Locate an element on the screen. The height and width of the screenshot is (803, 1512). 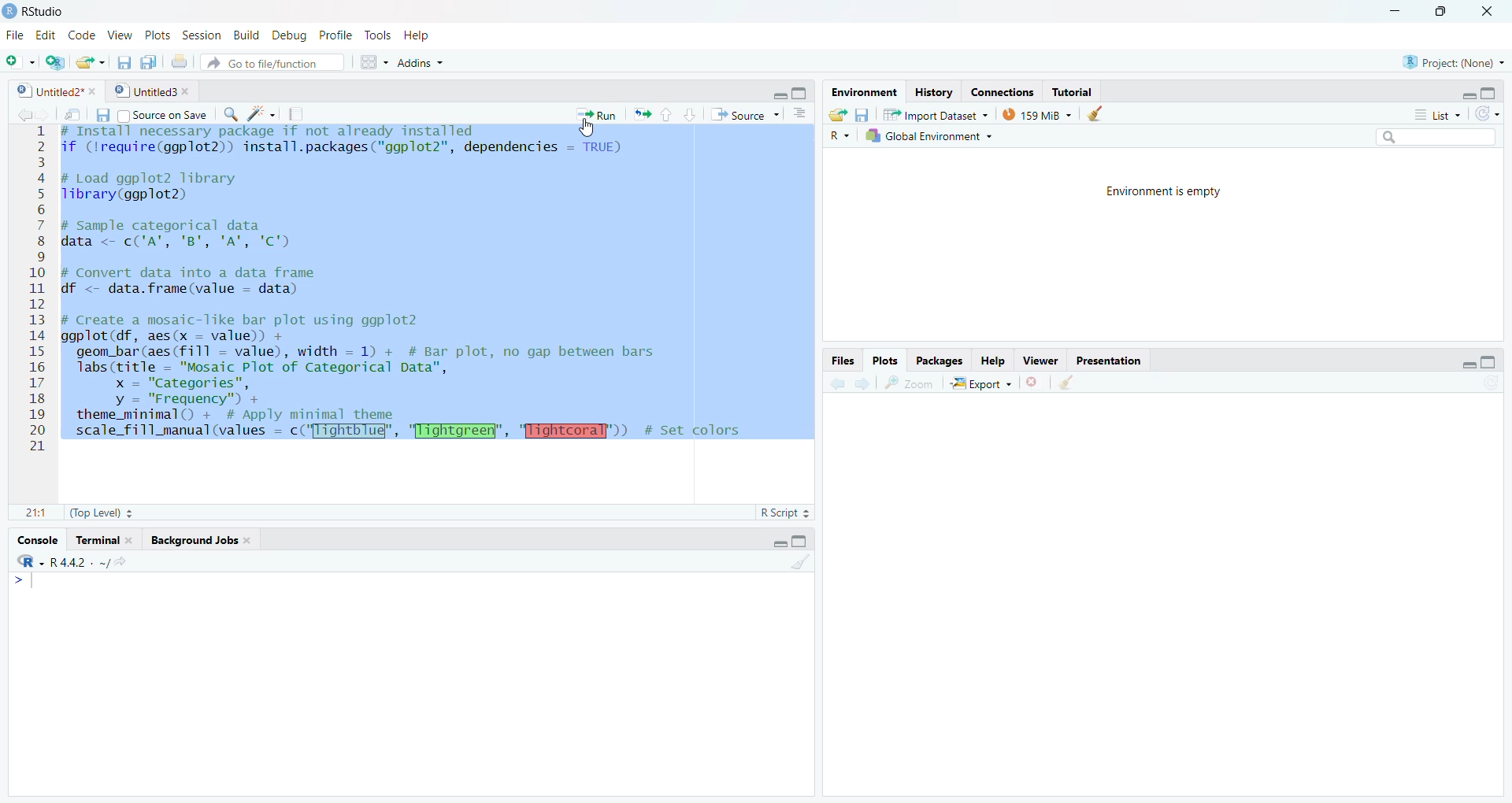
Workspace panes is located at coordinates (371, 62).